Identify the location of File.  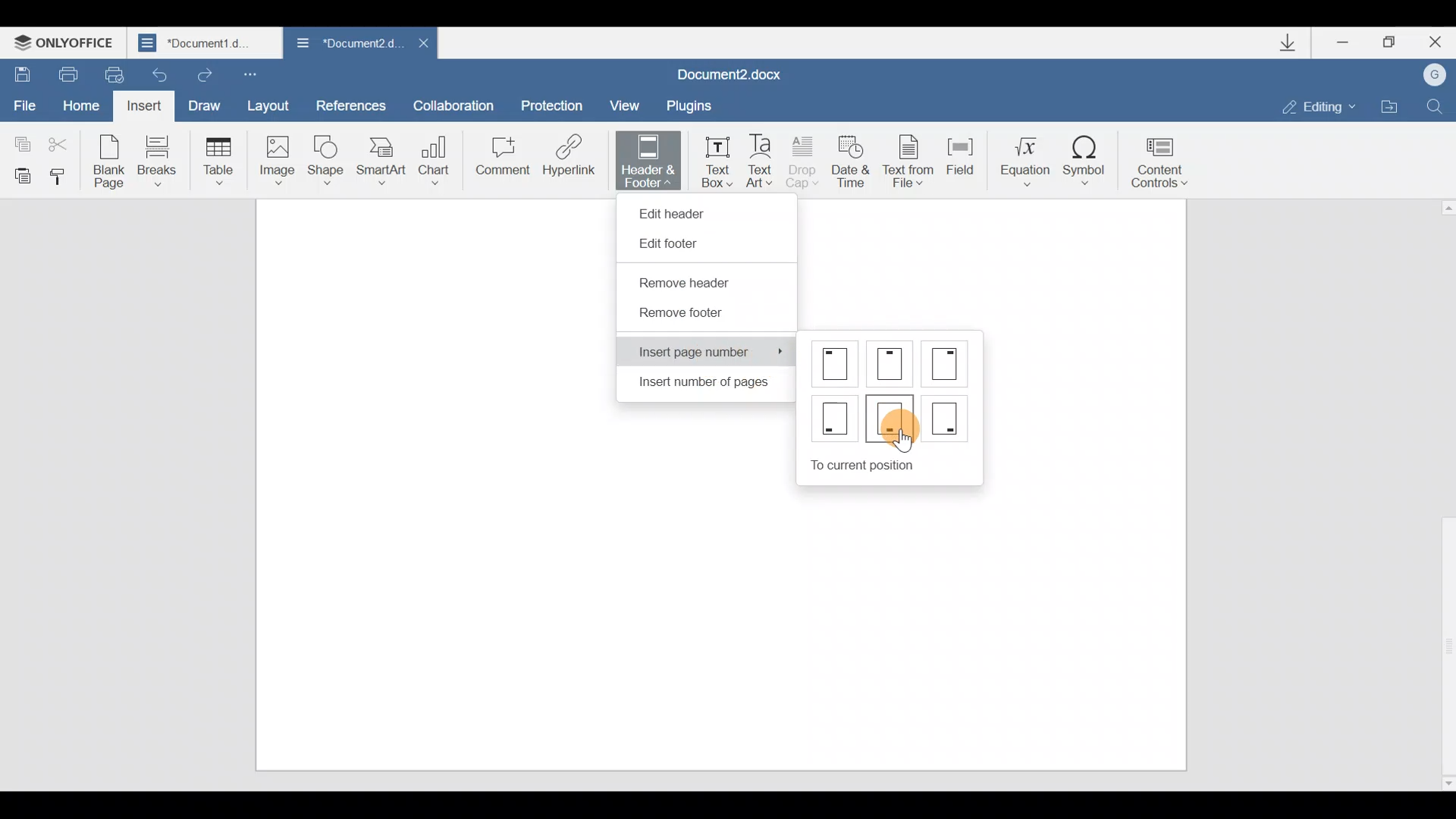
(26, 106).